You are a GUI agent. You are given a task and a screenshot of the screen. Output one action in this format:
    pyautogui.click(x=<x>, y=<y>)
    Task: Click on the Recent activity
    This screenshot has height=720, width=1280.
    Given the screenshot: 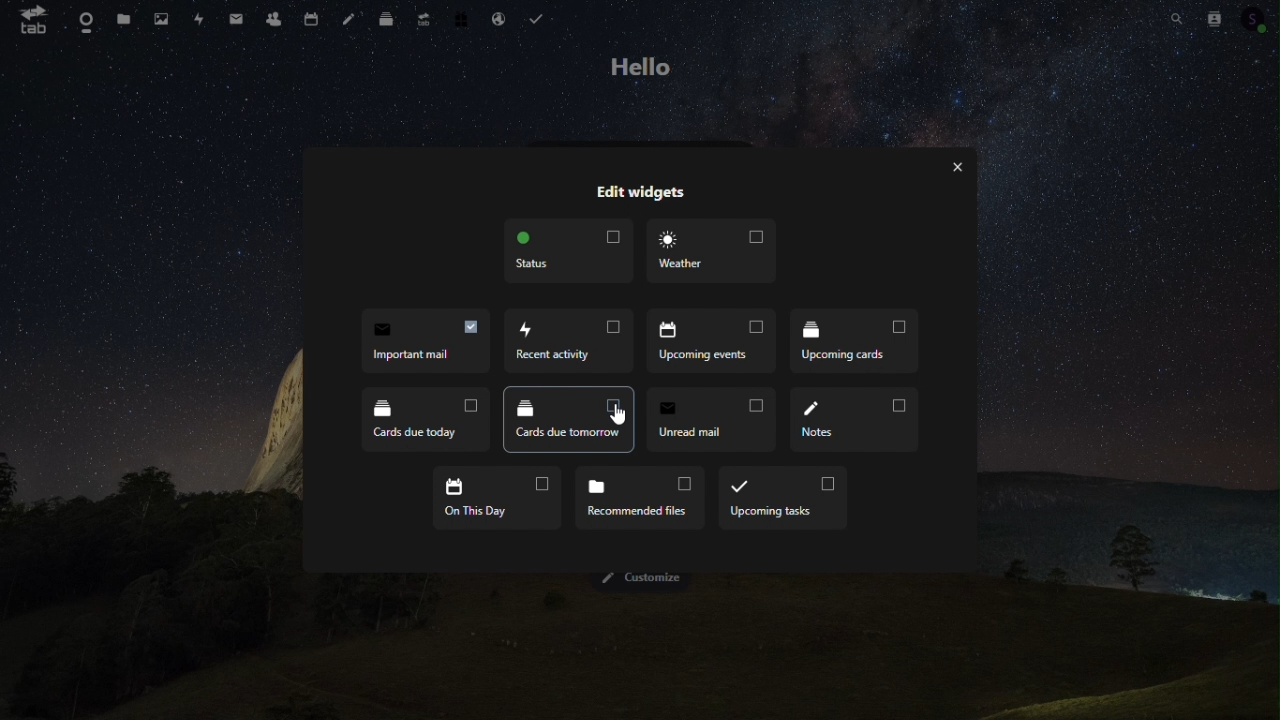 What is the action you would take?
    pyautogui.click(x=573, y=342)
    